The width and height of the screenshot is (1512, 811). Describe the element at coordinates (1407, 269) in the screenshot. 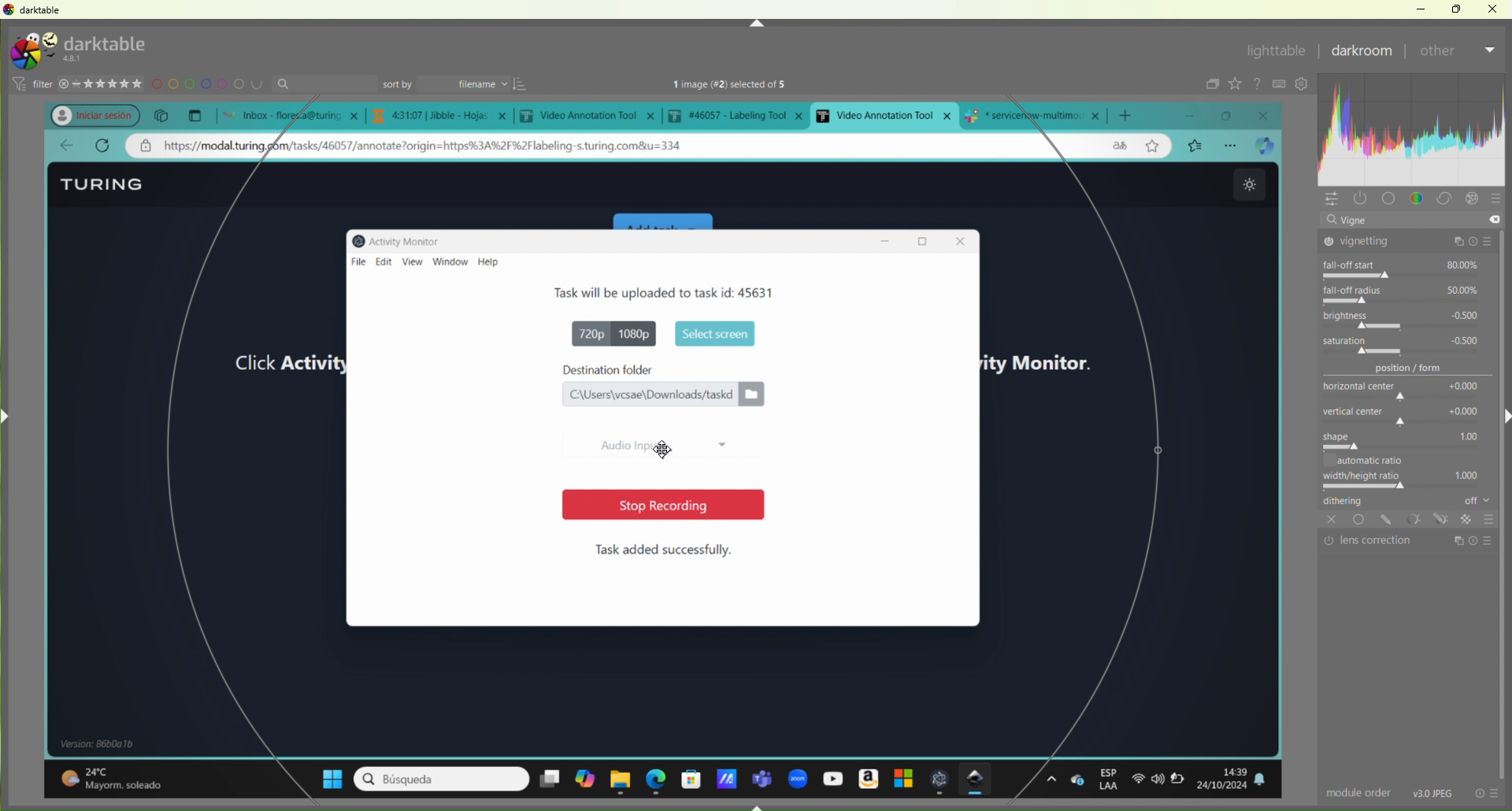

I see `fall-off start ` at that location.